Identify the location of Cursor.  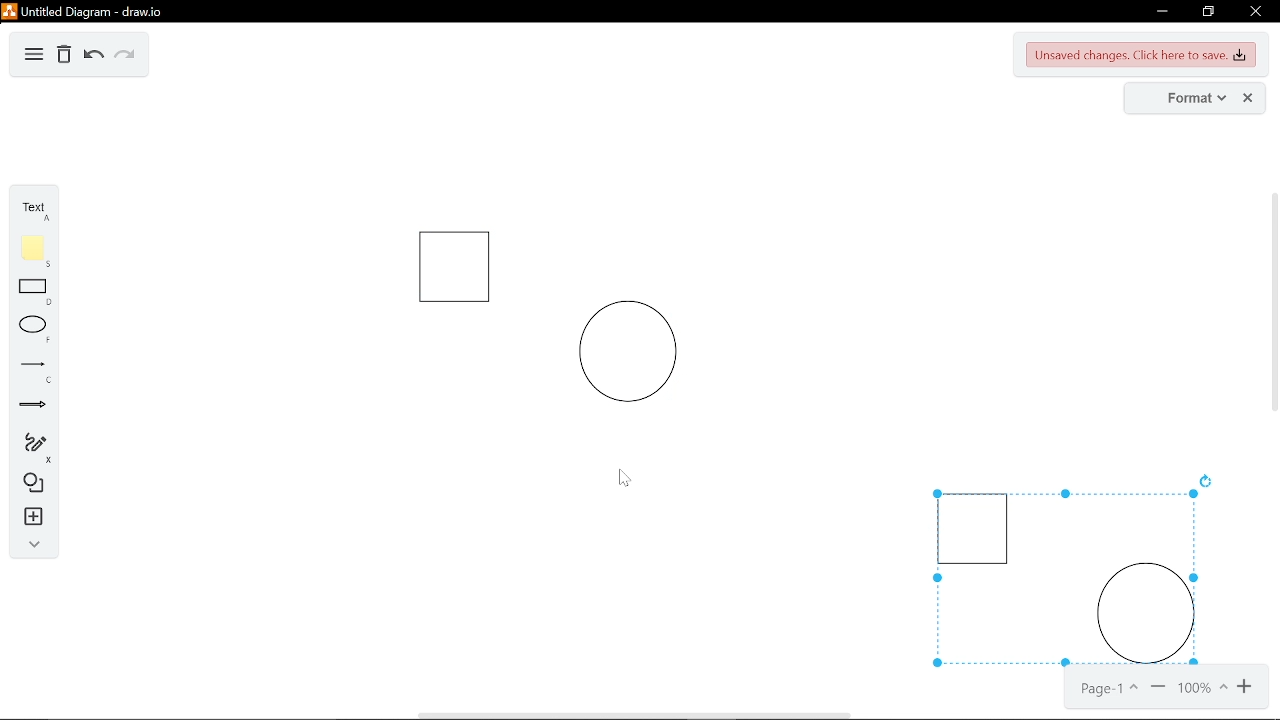
(622, 477).